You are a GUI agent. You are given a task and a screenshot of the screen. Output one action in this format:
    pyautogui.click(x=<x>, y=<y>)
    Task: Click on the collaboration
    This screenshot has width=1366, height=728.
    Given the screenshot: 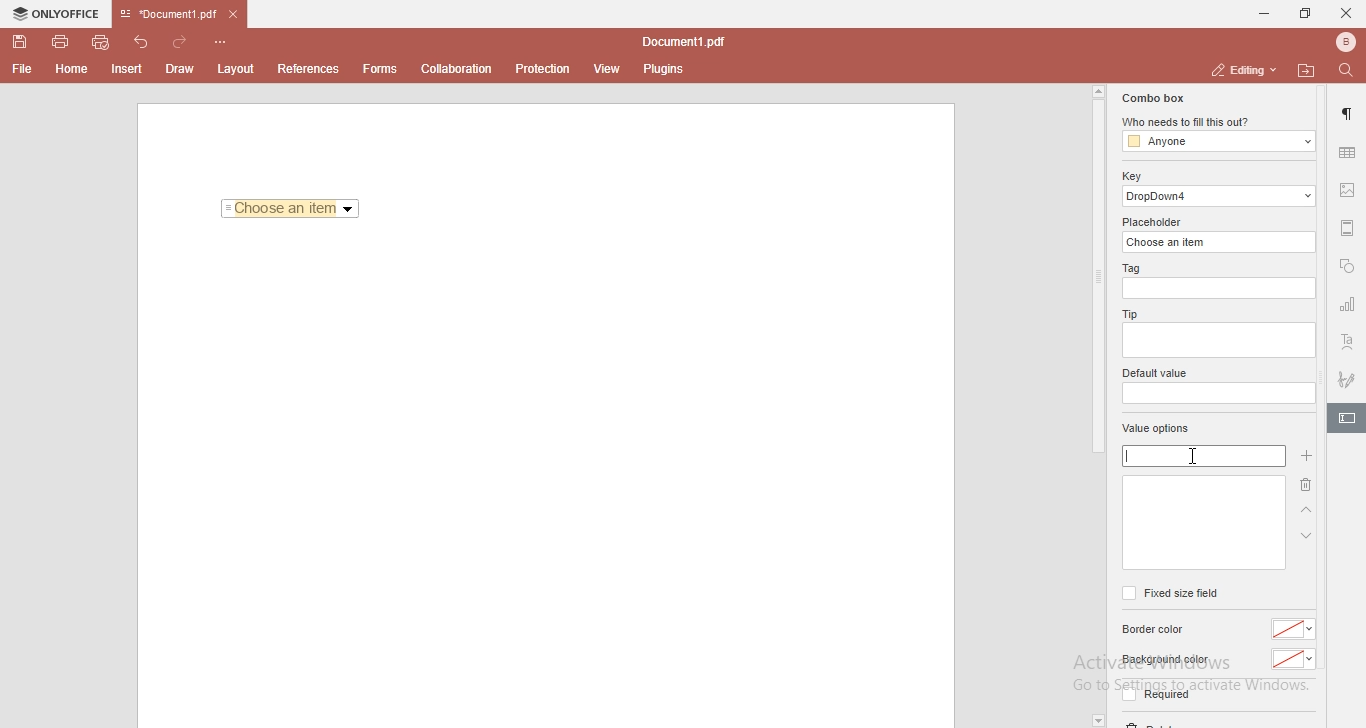 What is the action you would take?
    pyautogui.click(x=461, y=67)
    